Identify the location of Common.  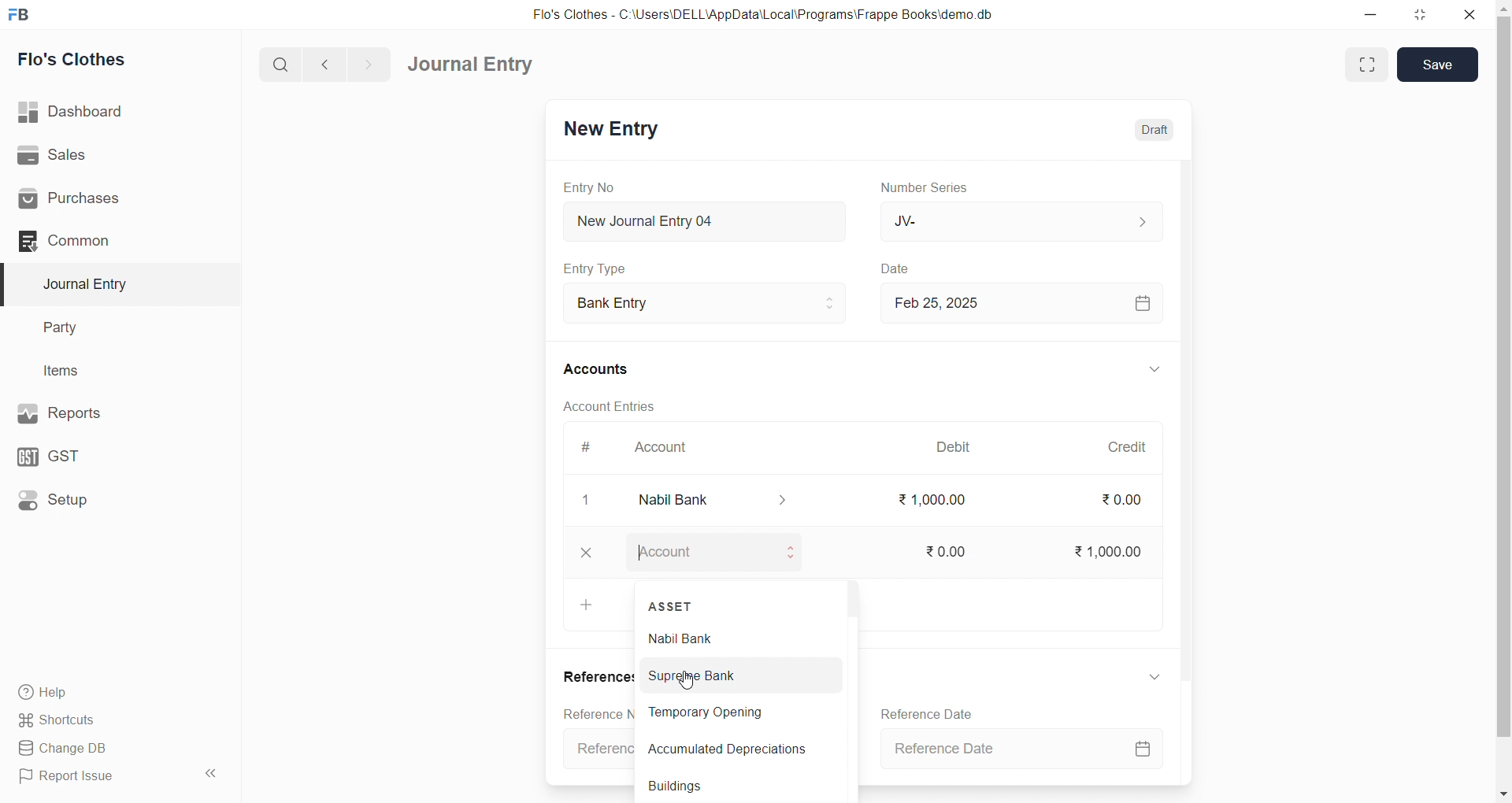
(106, 240).